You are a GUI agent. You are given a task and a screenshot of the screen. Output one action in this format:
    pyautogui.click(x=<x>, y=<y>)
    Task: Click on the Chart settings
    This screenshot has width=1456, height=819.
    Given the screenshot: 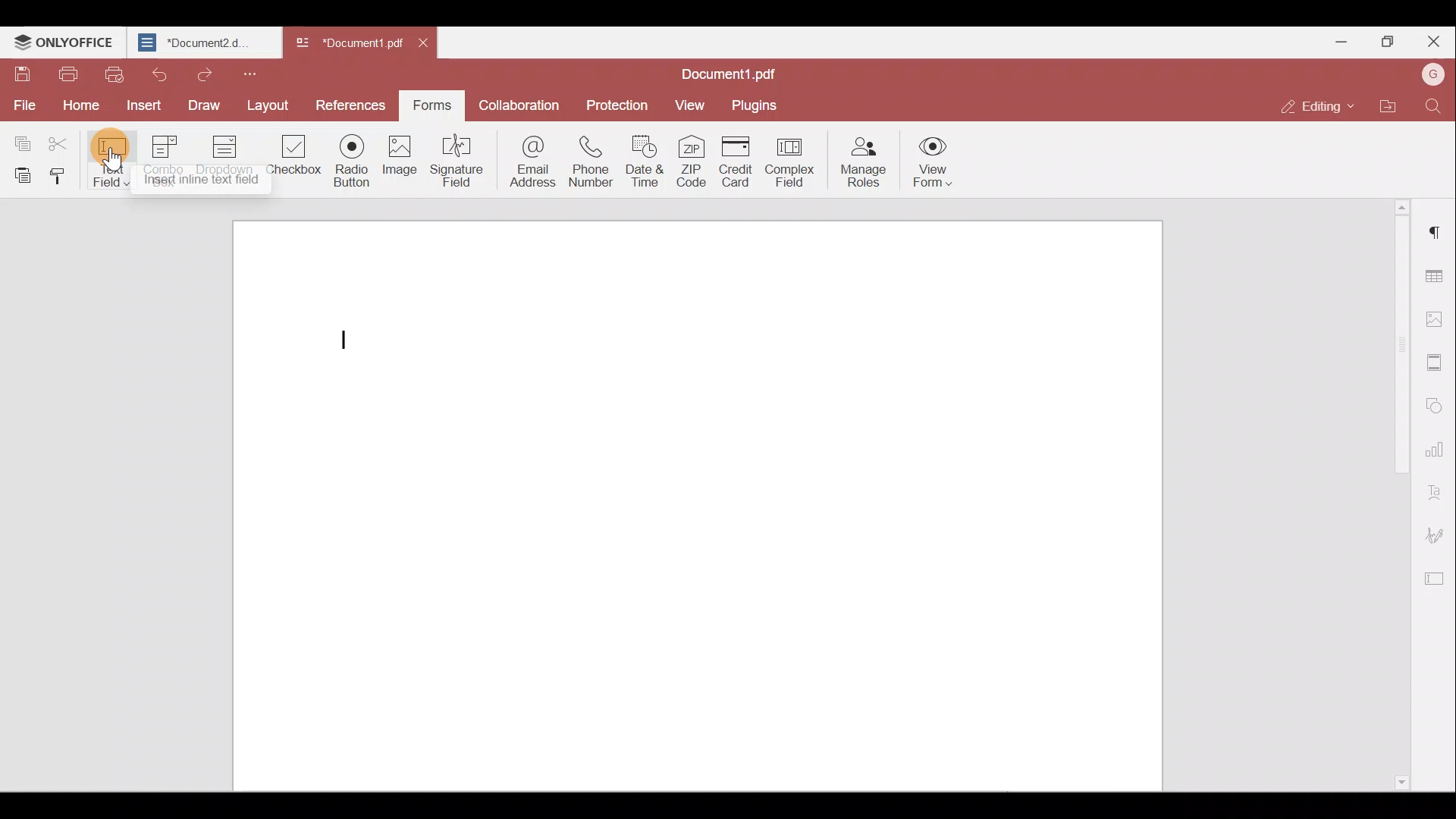 What is the action you would take?
    pyautogui.click(x=1437, y=448)
    